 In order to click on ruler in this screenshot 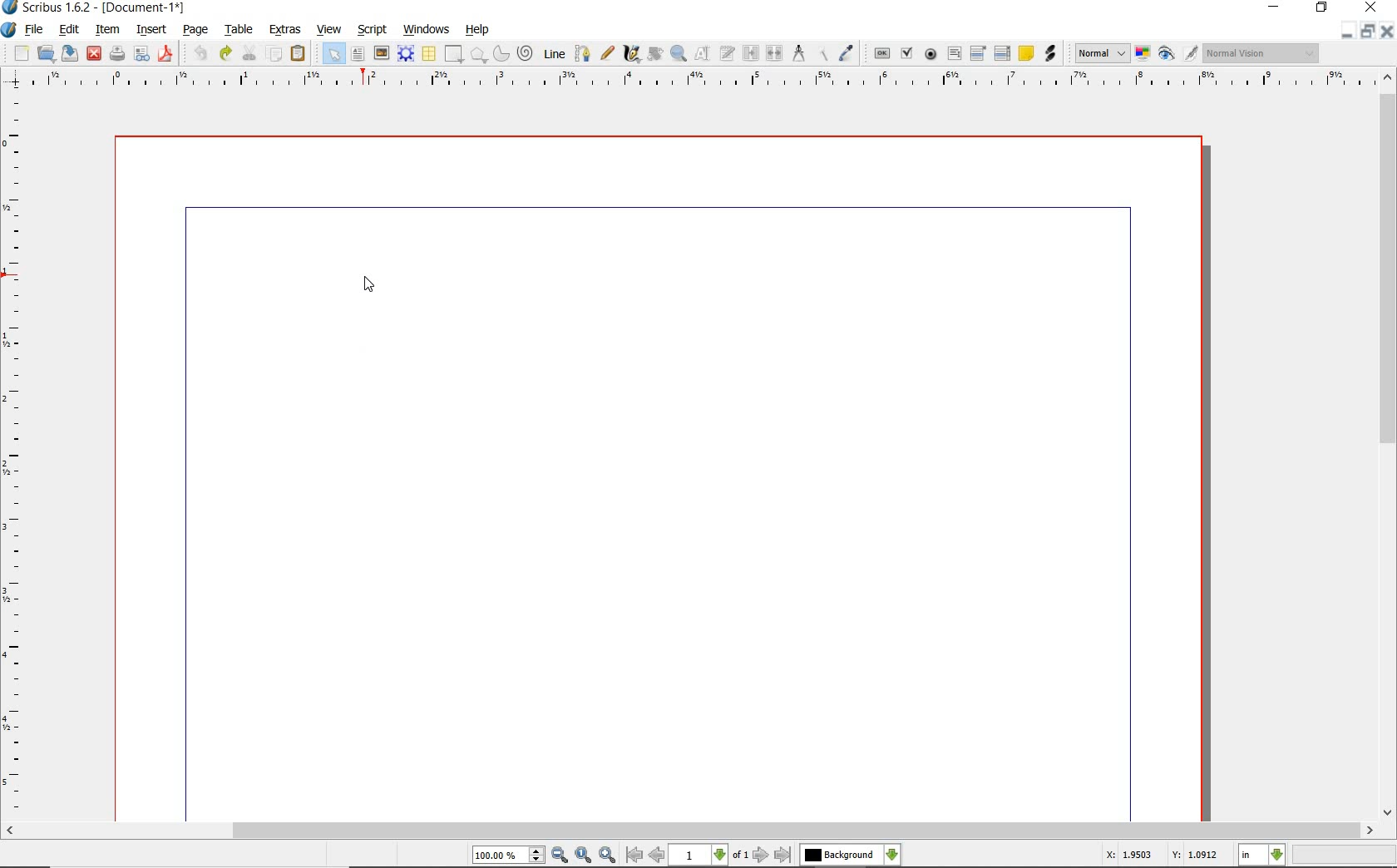, I will do `click(16, 455)`.